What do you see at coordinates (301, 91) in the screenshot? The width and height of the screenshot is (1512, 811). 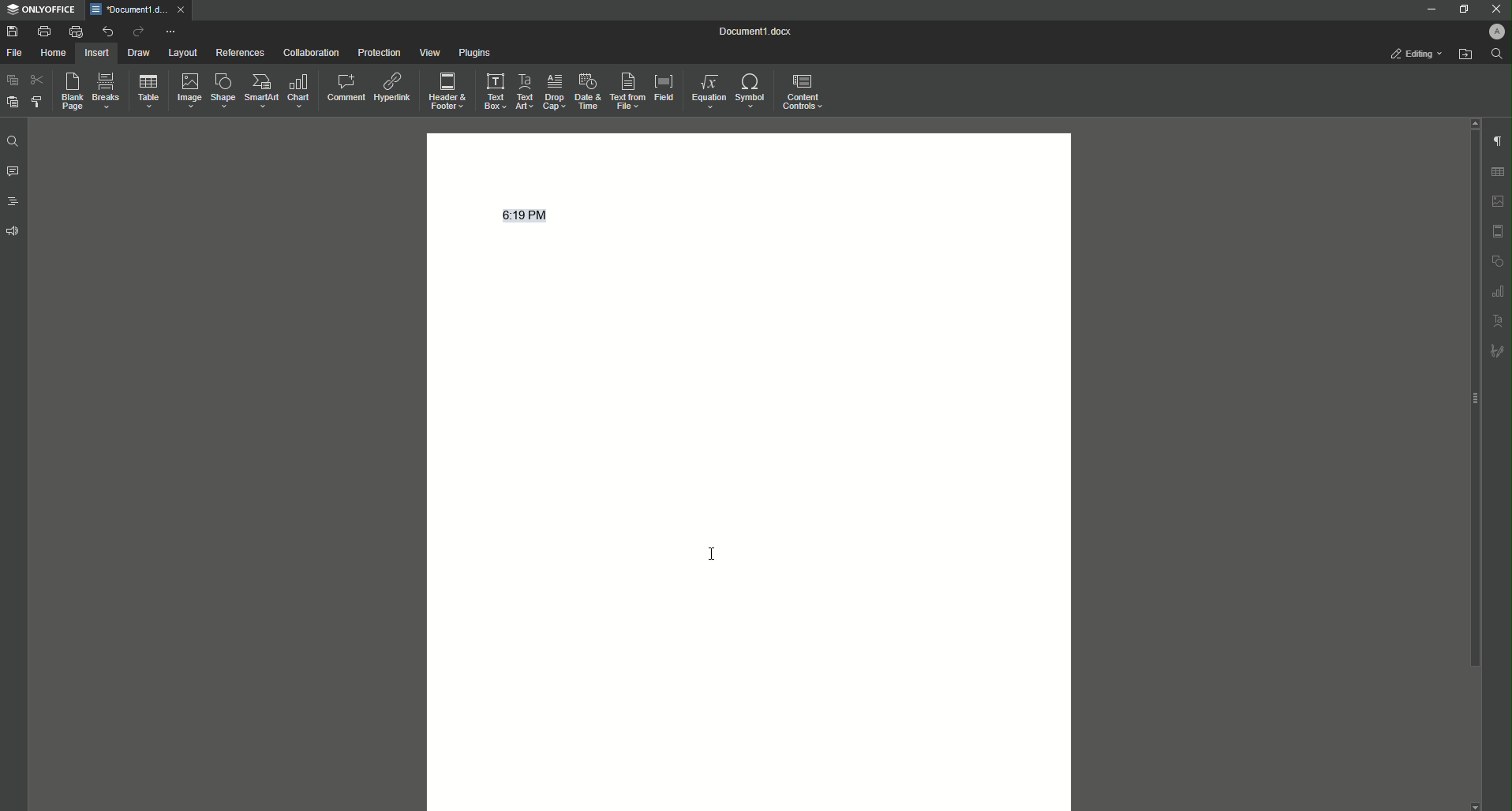 I see `Chart` at bounding box center [301, 91].